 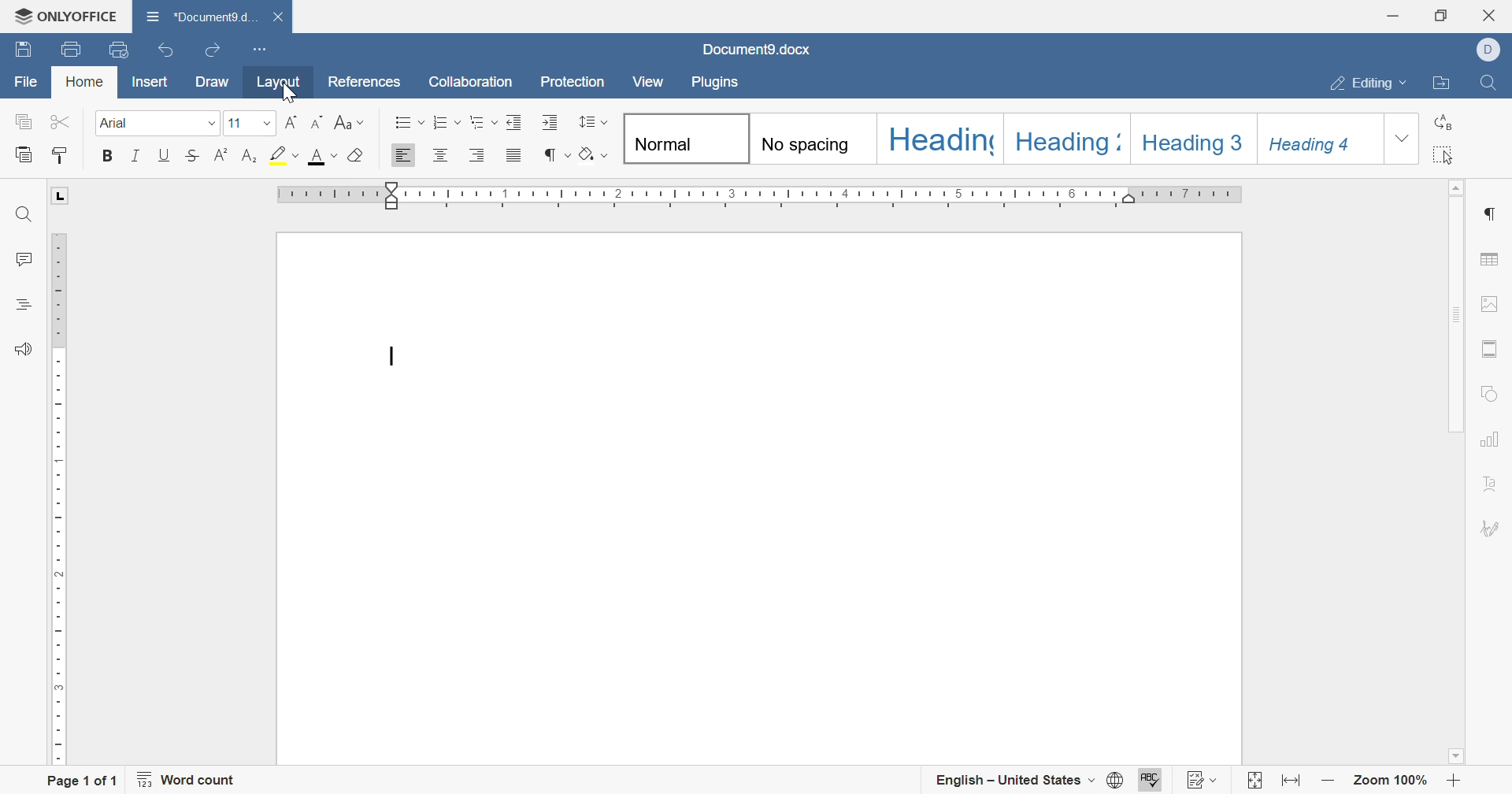 I want to click on save, so click(x=20, y=50).